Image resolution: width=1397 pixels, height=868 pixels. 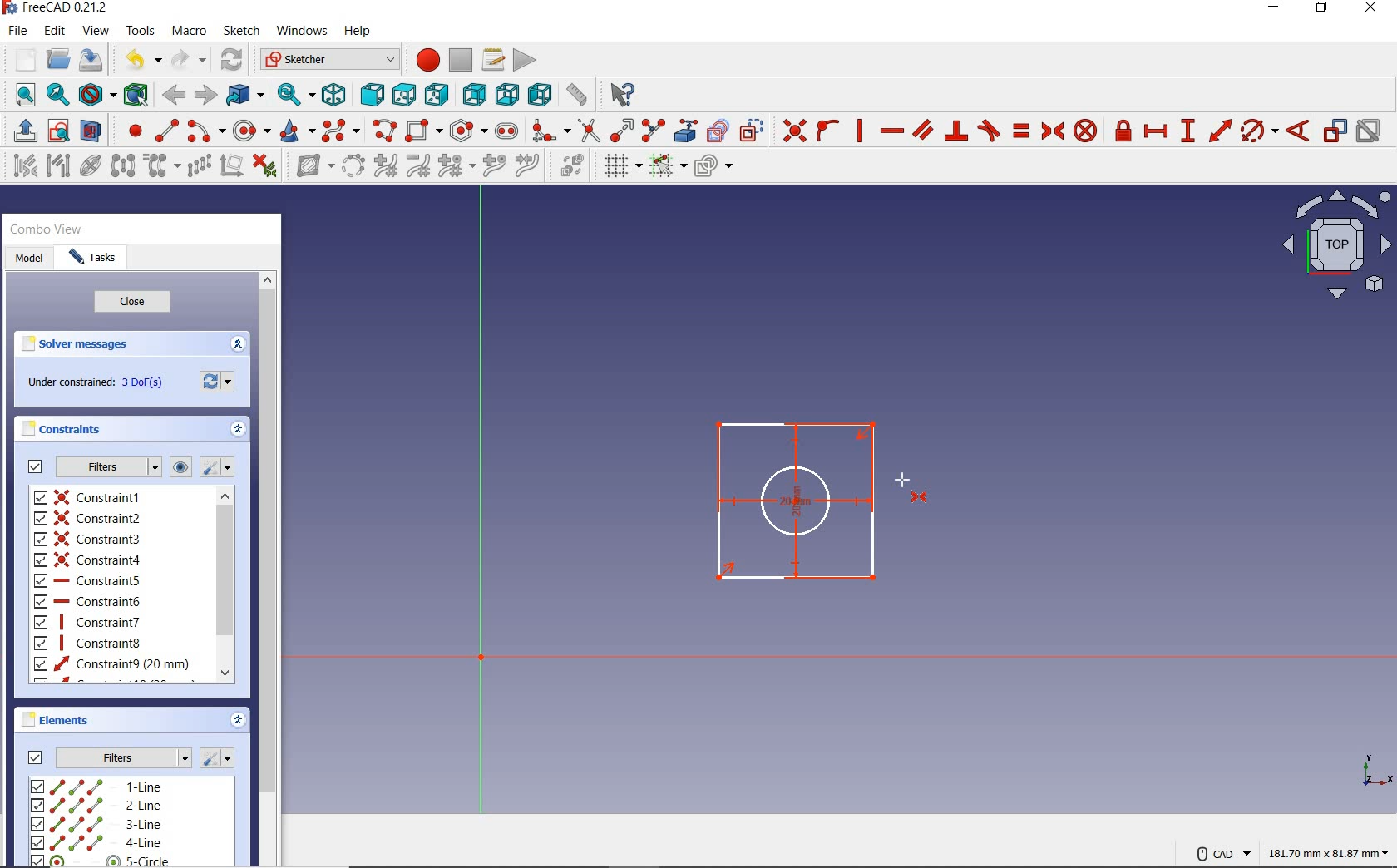 I want to click on constrain perpendicular, so click(x=958, y=131).